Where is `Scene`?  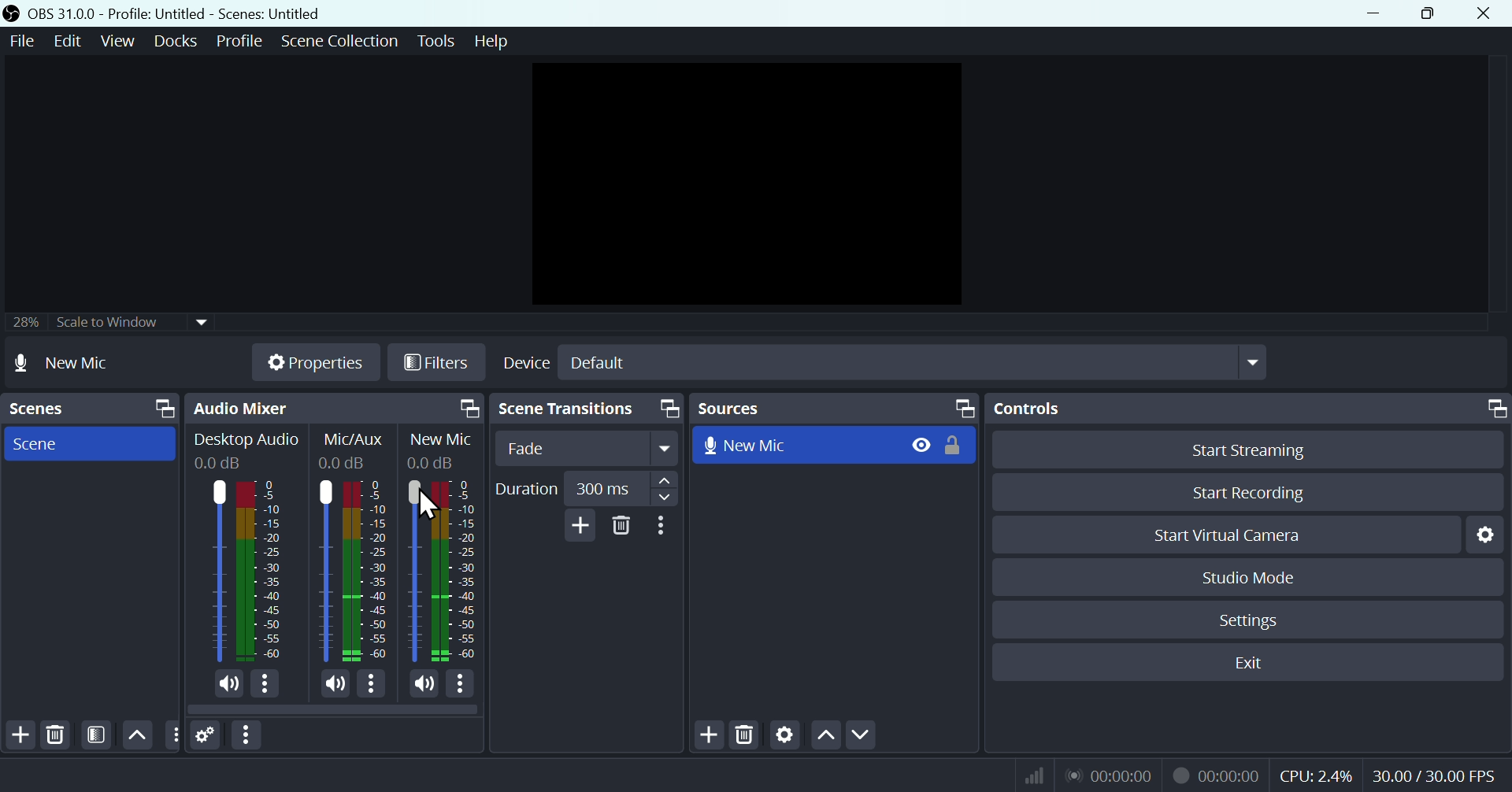 Scene is located at coordinates (86, 442).